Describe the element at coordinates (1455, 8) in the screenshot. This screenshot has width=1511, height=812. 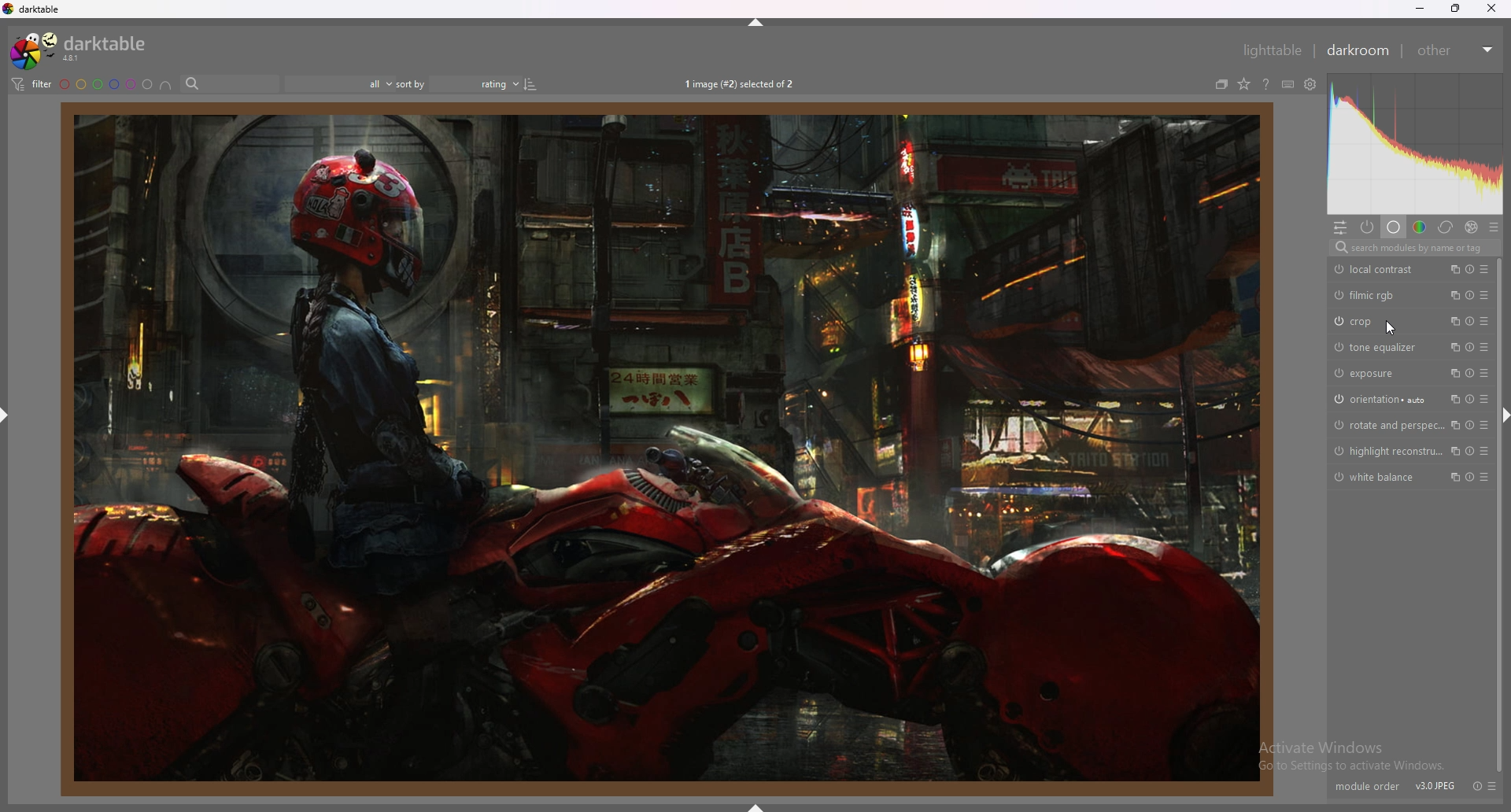
I see `resize` at that location.